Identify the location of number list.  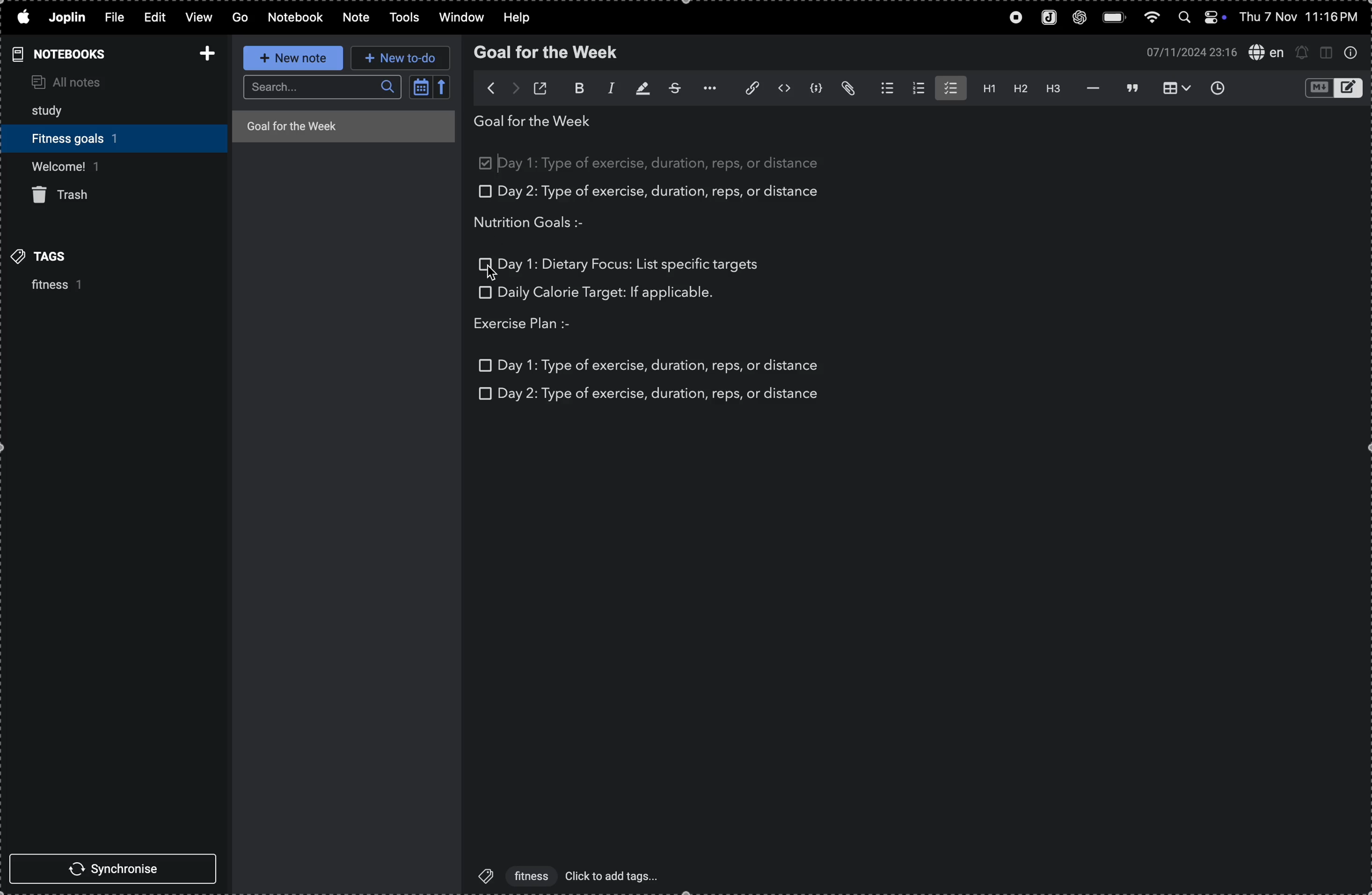
(916, 88).